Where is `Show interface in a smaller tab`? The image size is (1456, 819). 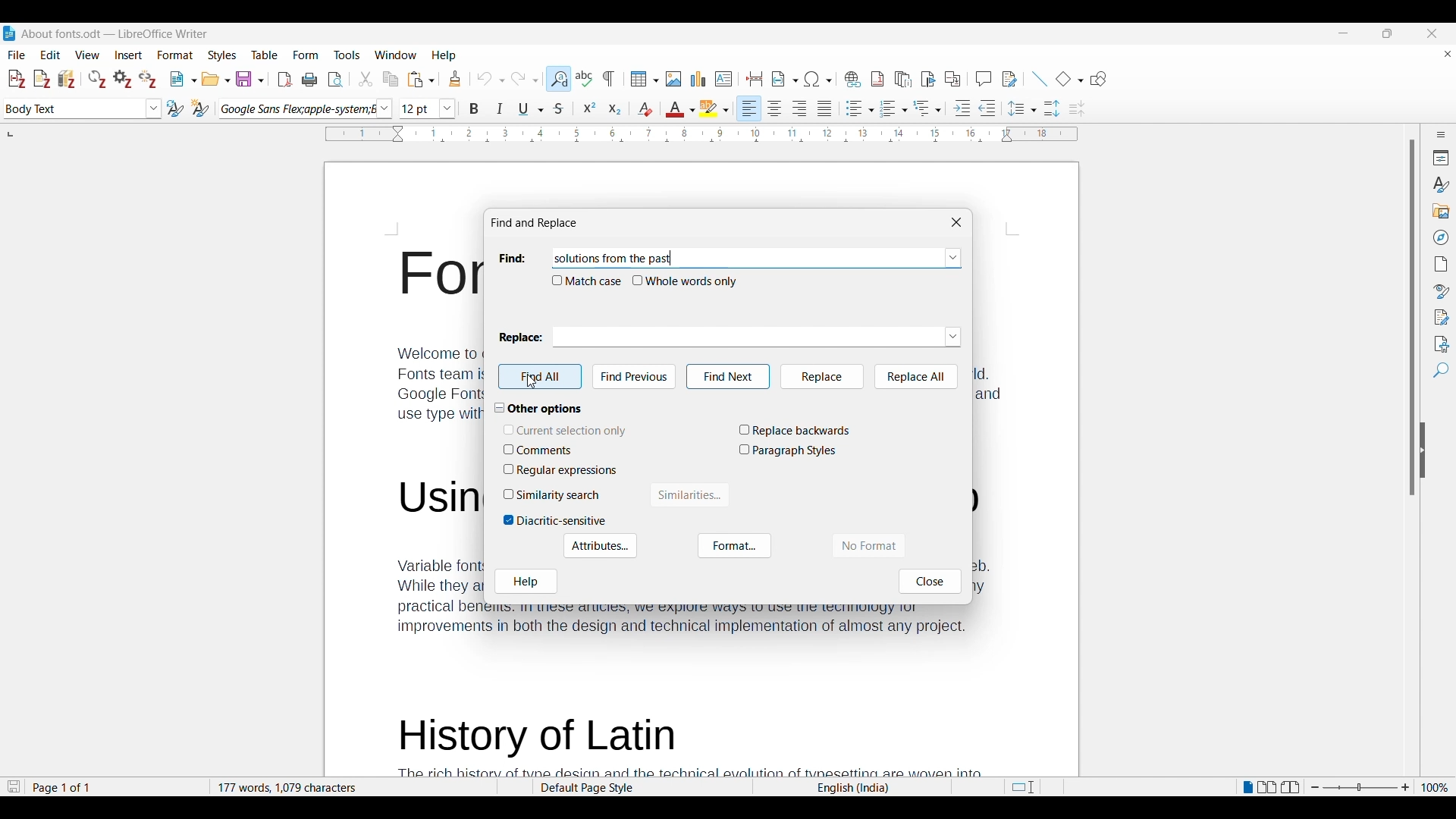 Show interface in a smaller tab is located at coordinates (1387, 33).